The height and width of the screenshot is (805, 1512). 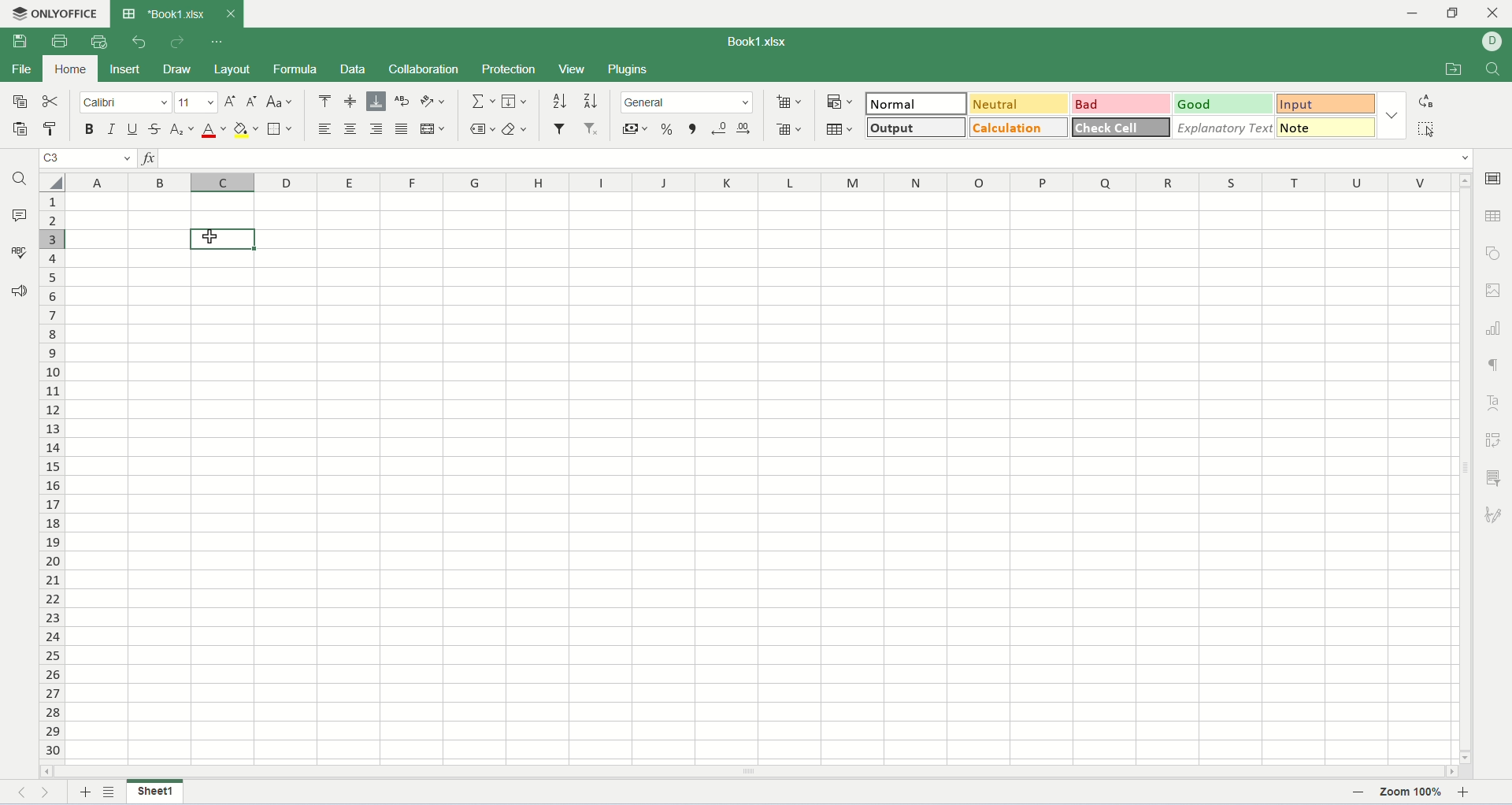 I want to click on comma style, so click(x=695, y=128).